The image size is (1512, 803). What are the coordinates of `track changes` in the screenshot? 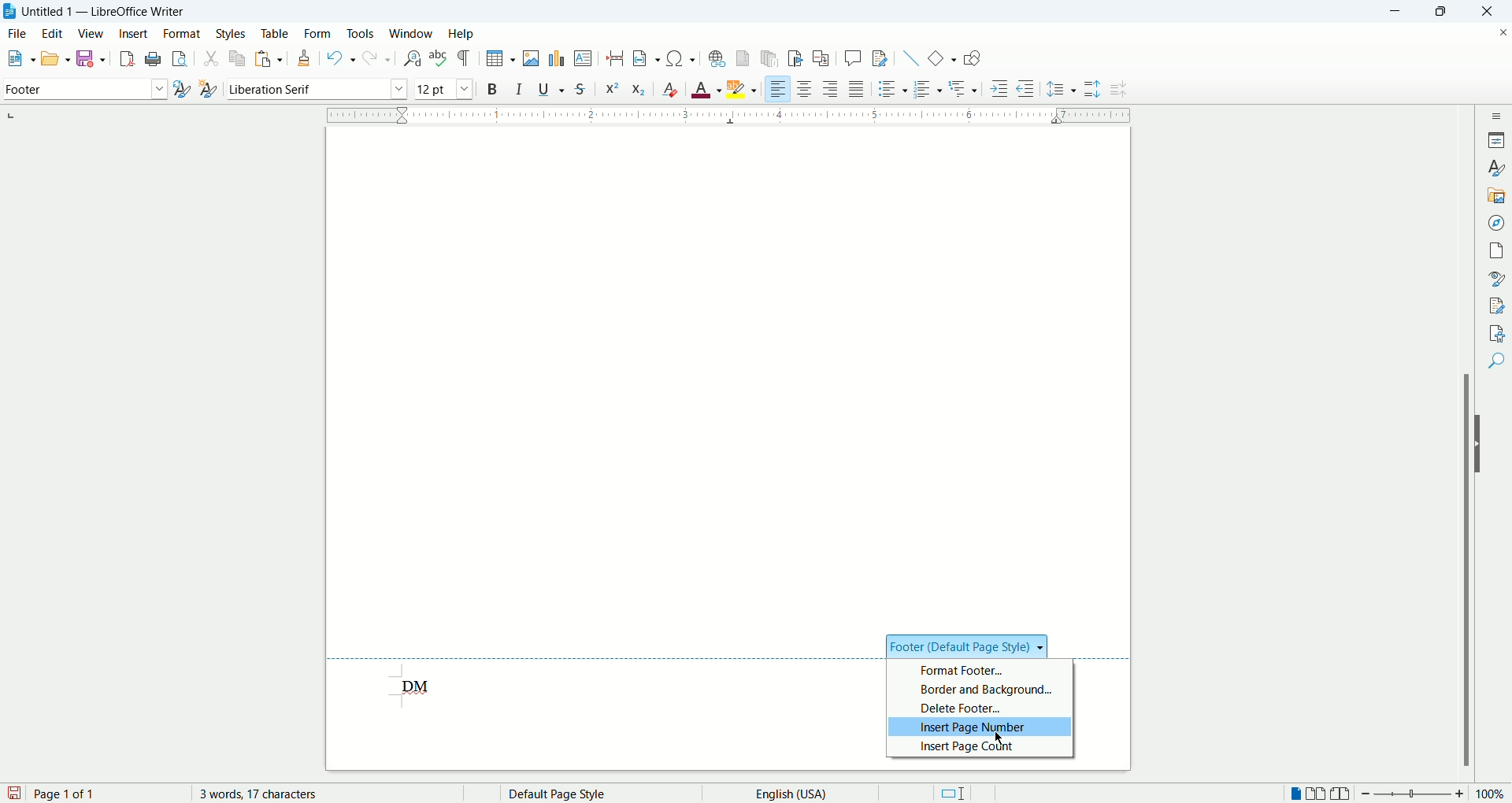 It's located at (880, 59).